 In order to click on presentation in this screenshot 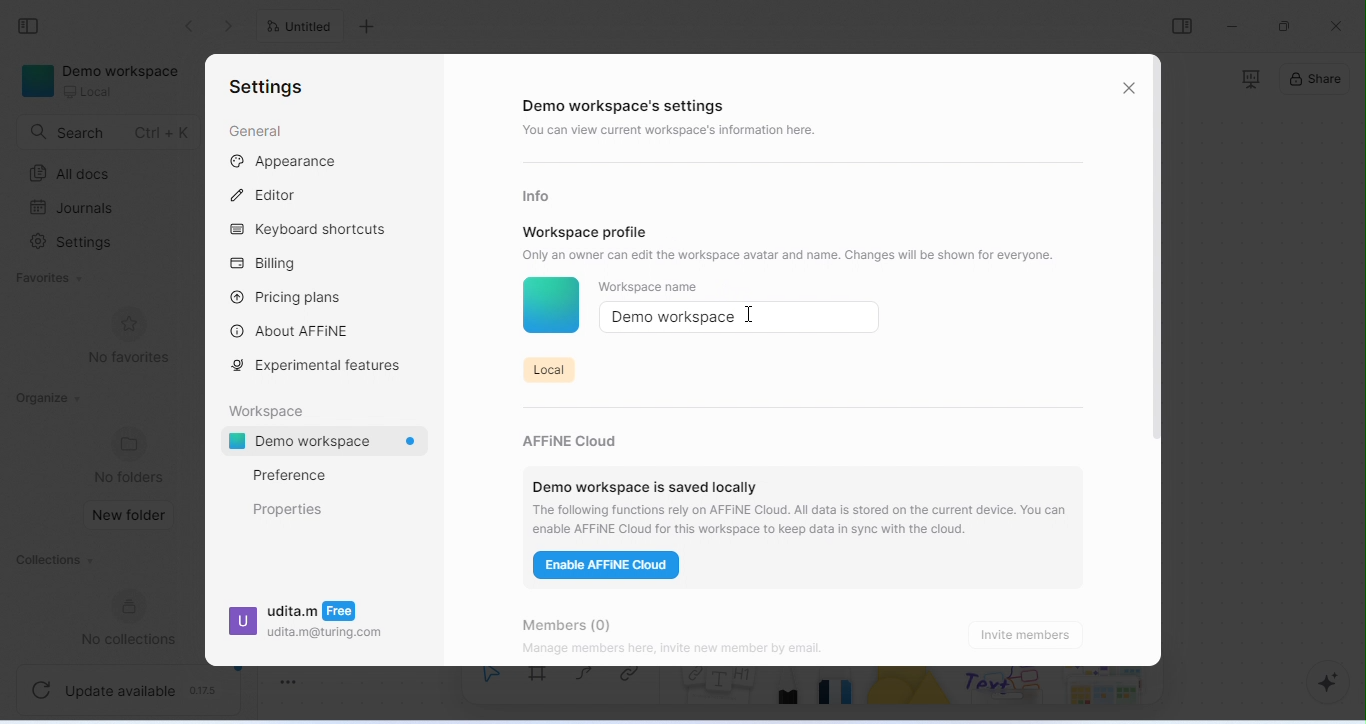, I will do `click(1249, 79)`.